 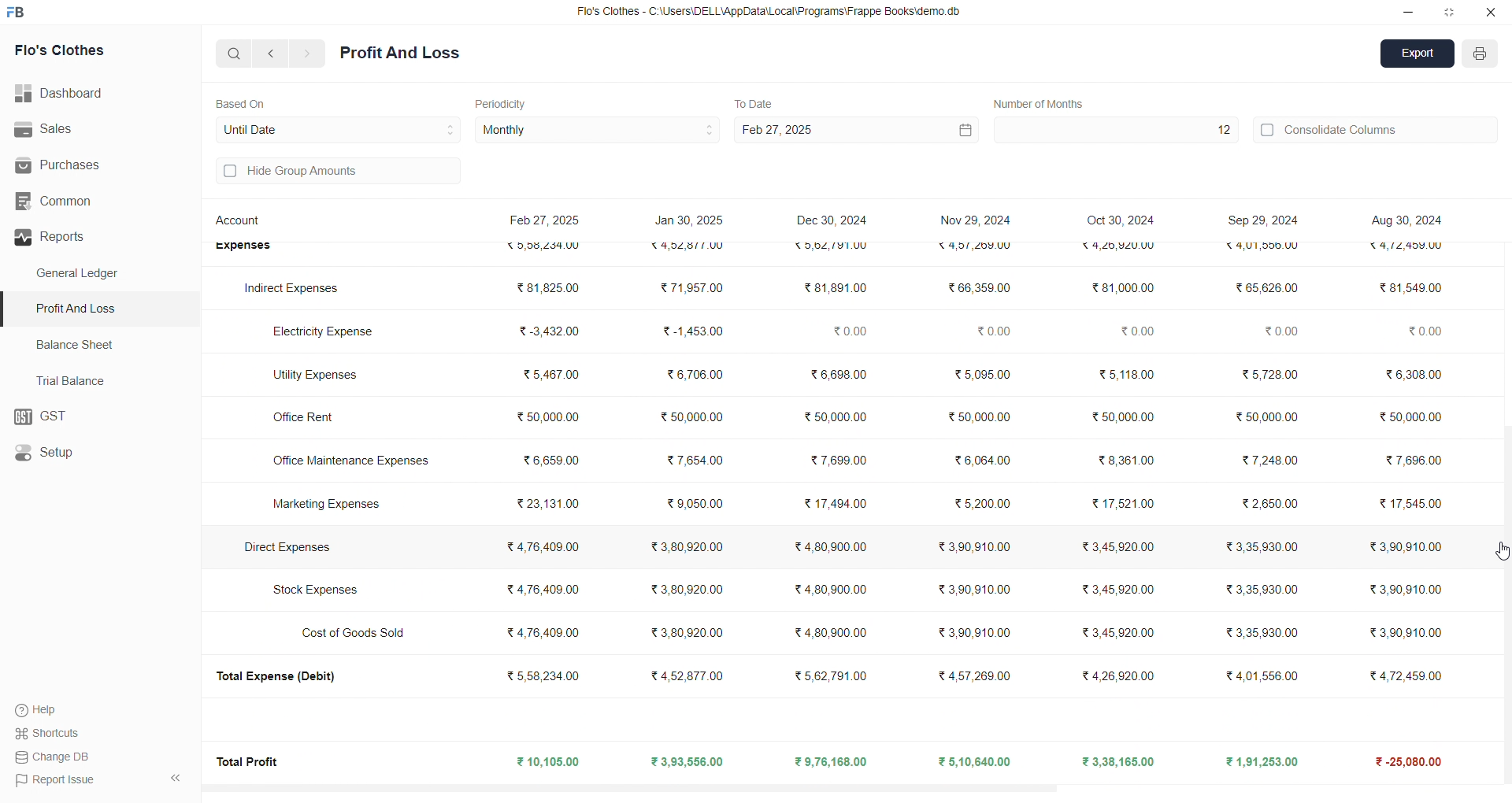 I want to click on 37,696.00, so click(x=1412, y=457).